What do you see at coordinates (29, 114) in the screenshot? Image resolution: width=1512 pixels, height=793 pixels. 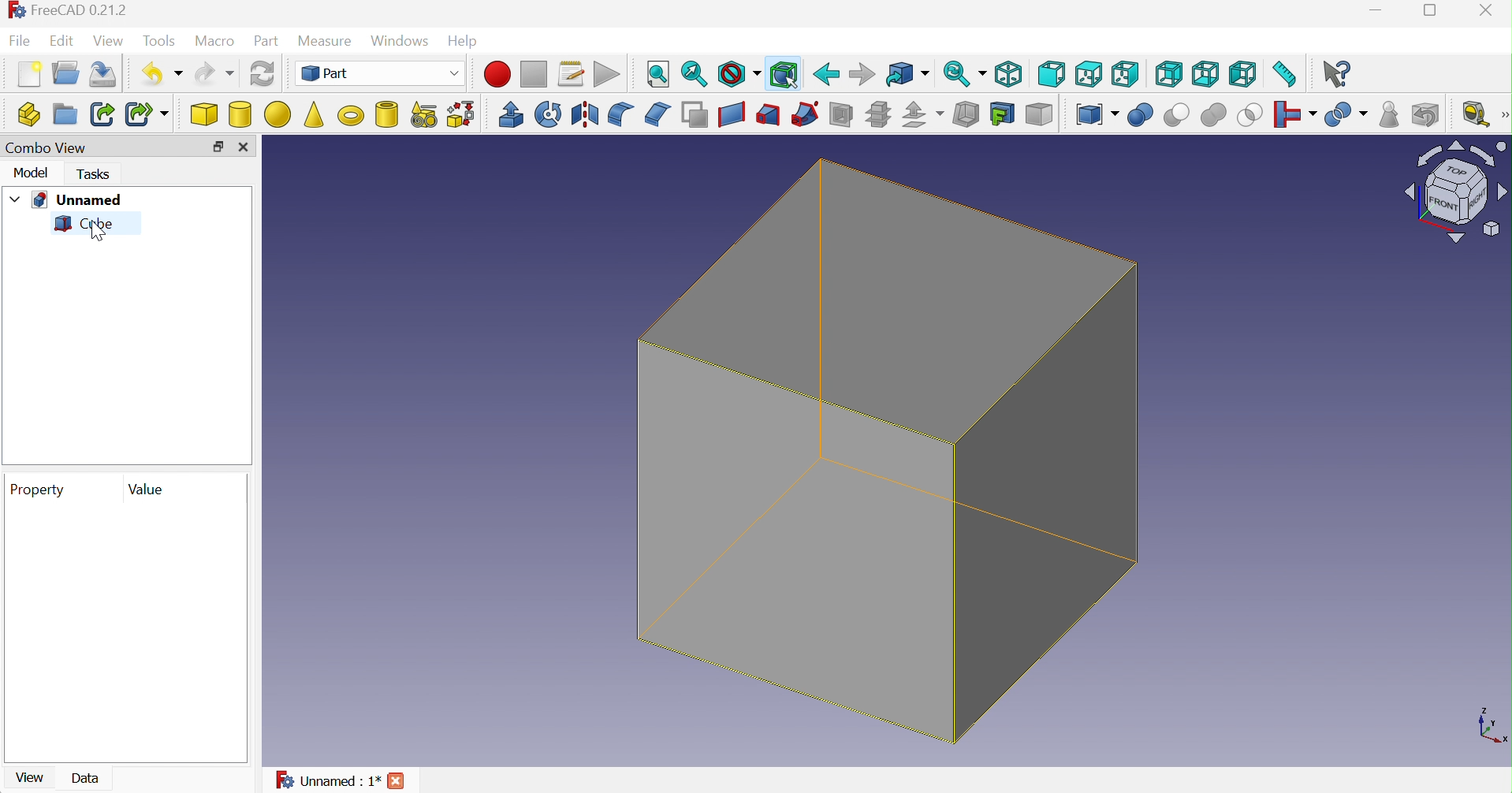 I see `Create part` at bounding box center [29, 114].